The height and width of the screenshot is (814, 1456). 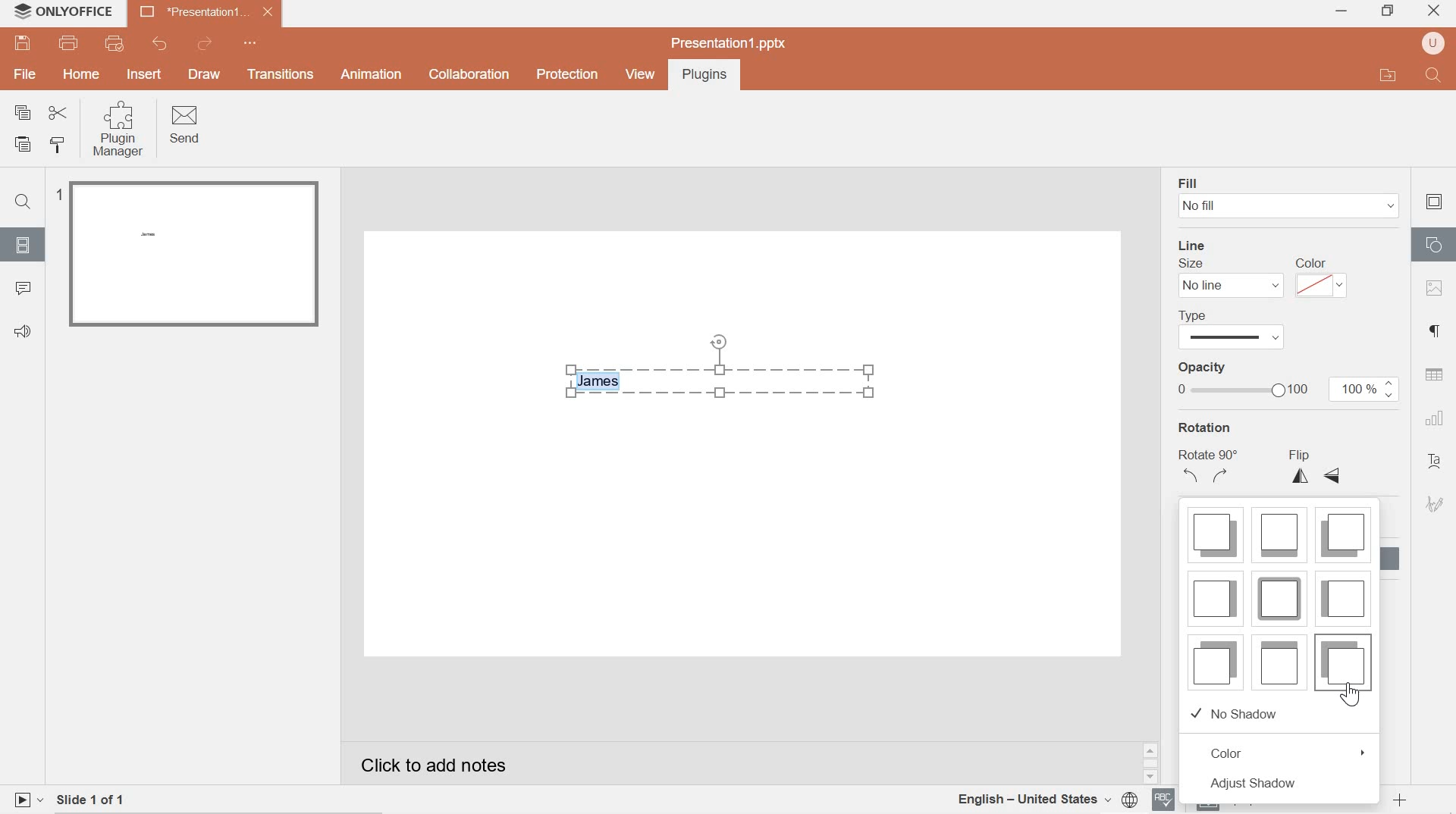 I want to click on hOME, so click(x=82, y=76).